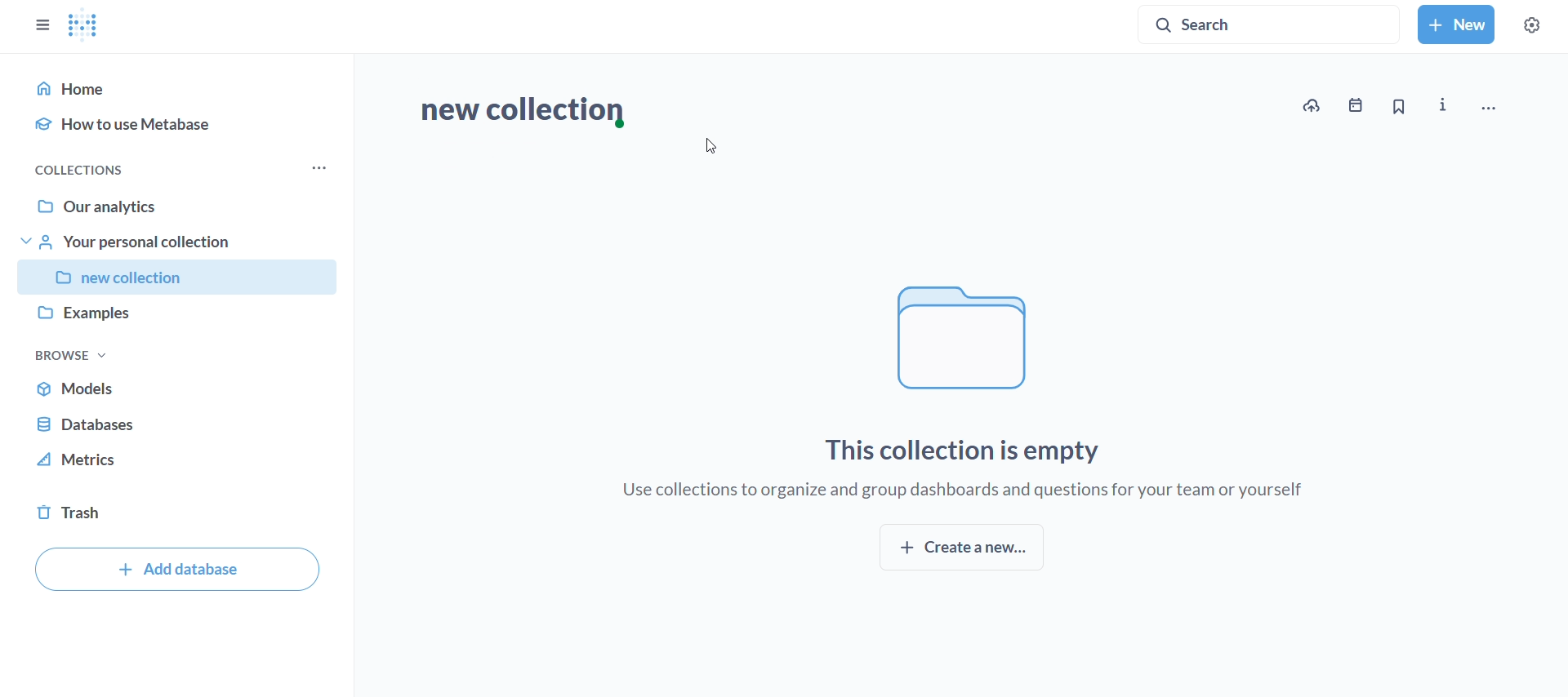 The image size is (1568, 697). What do you see at coordinates (78, 171) in the screenshot?
I see `collections` at bounding box center [78, 171].